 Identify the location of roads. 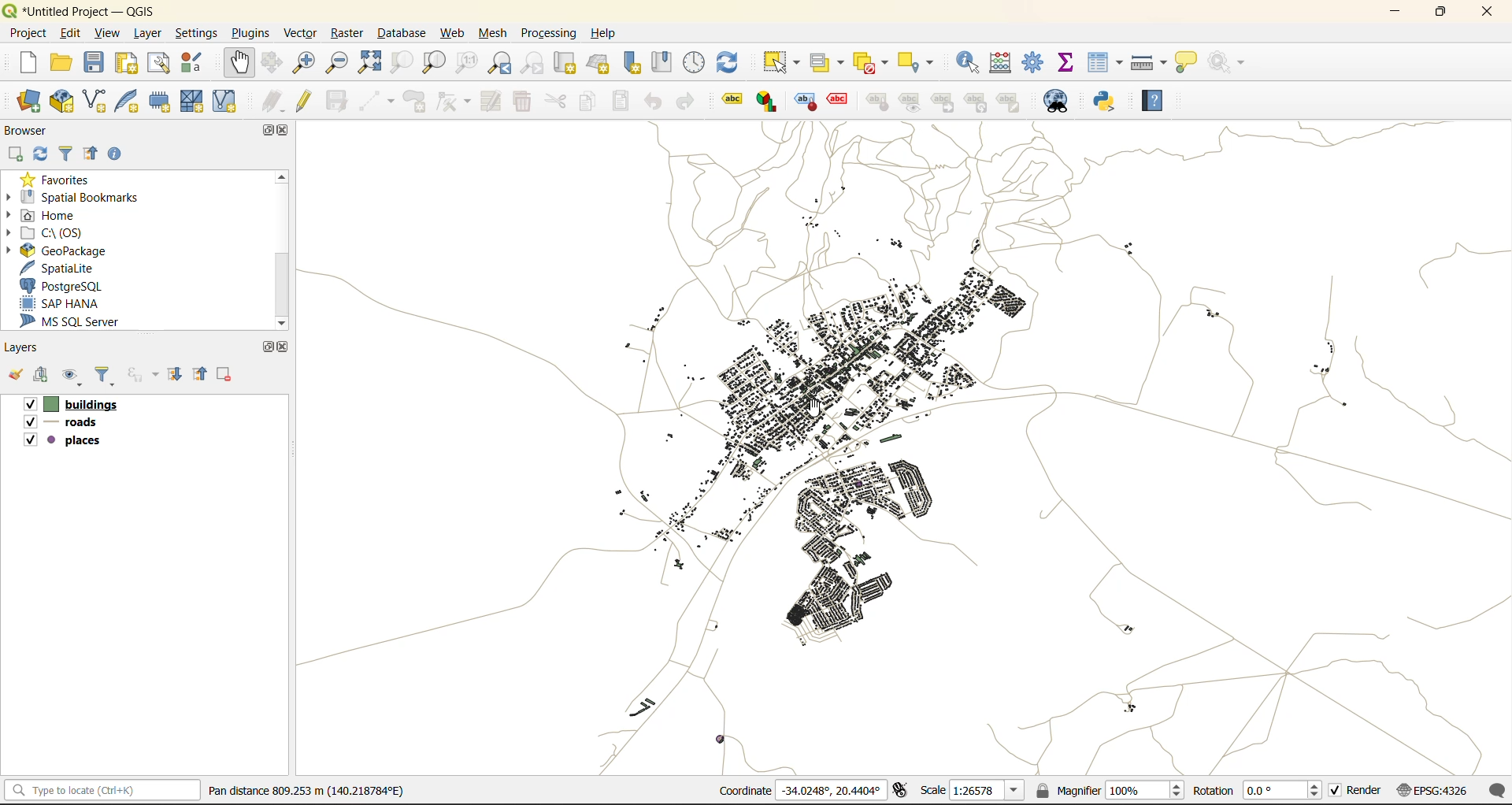
(65, 425).